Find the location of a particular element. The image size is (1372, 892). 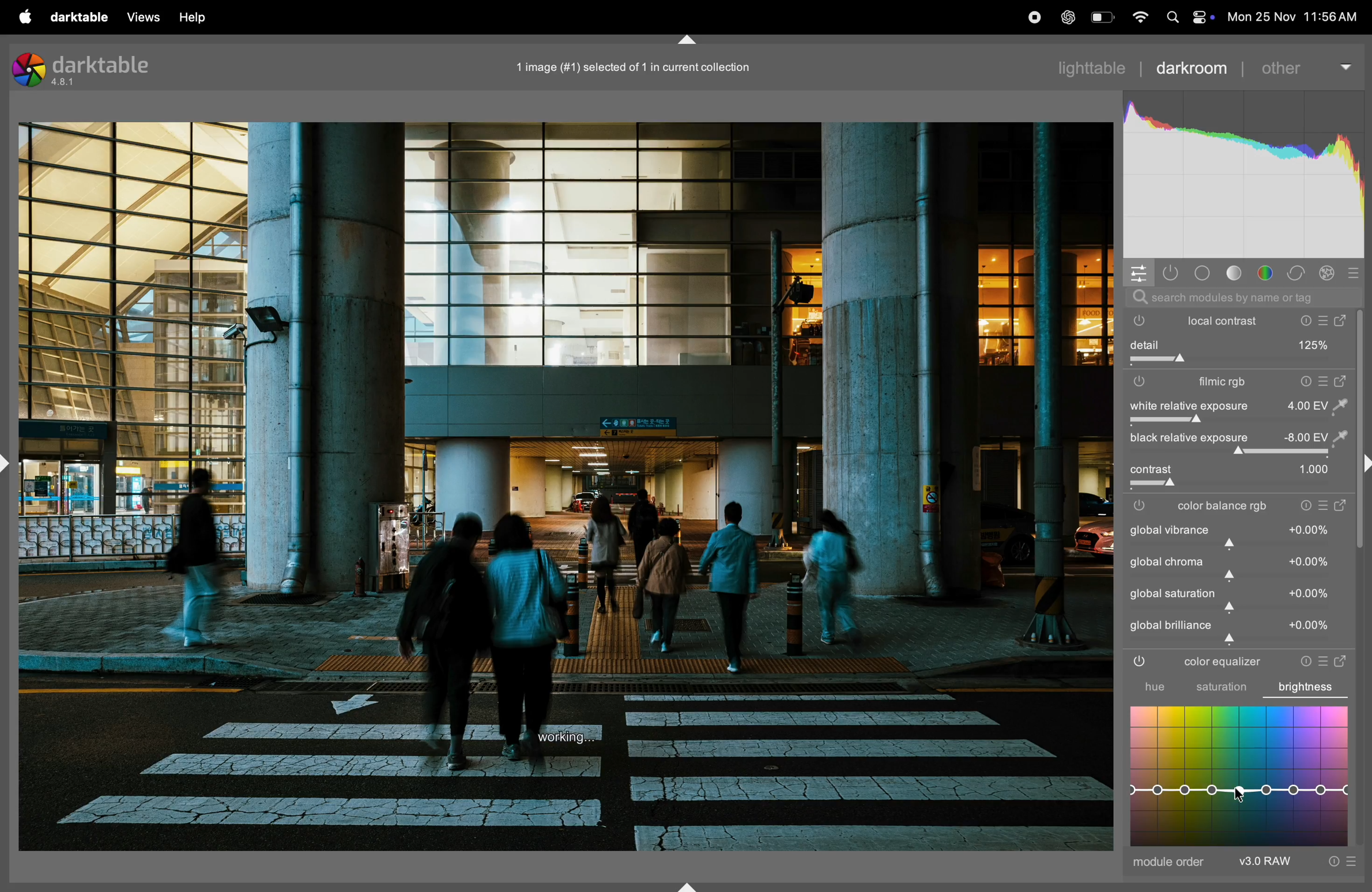

color equalizer is located at coordinates (1220, 663).